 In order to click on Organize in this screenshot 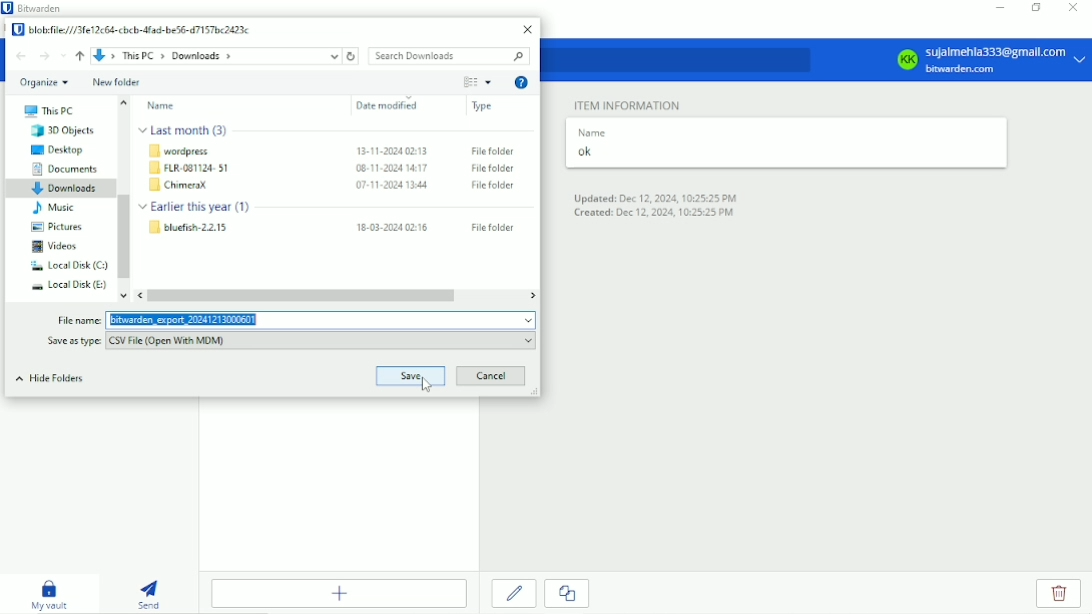, I will do `click(45, 83)`.